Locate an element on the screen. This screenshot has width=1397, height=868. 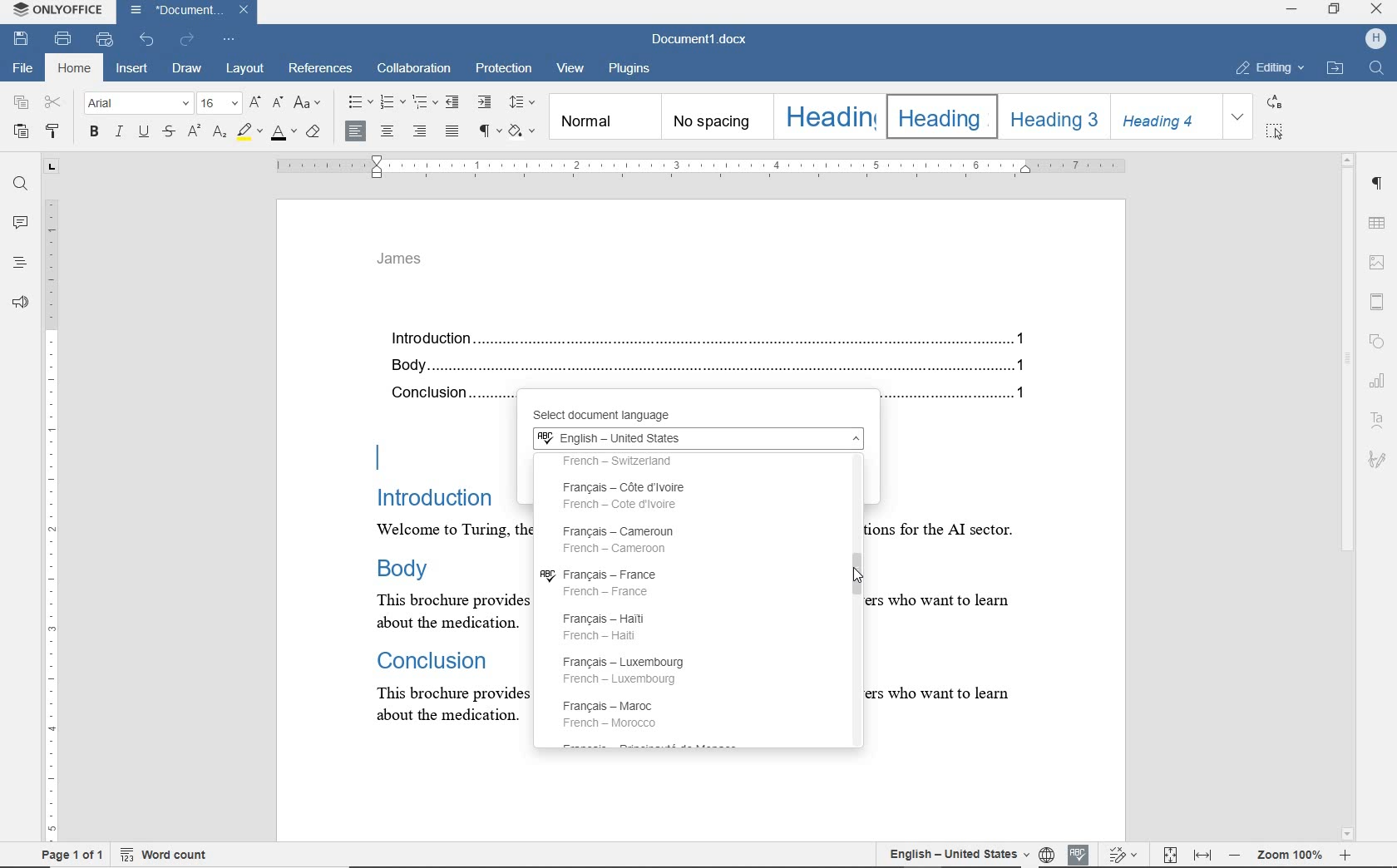
ruler is located at coordinates (699, 166).